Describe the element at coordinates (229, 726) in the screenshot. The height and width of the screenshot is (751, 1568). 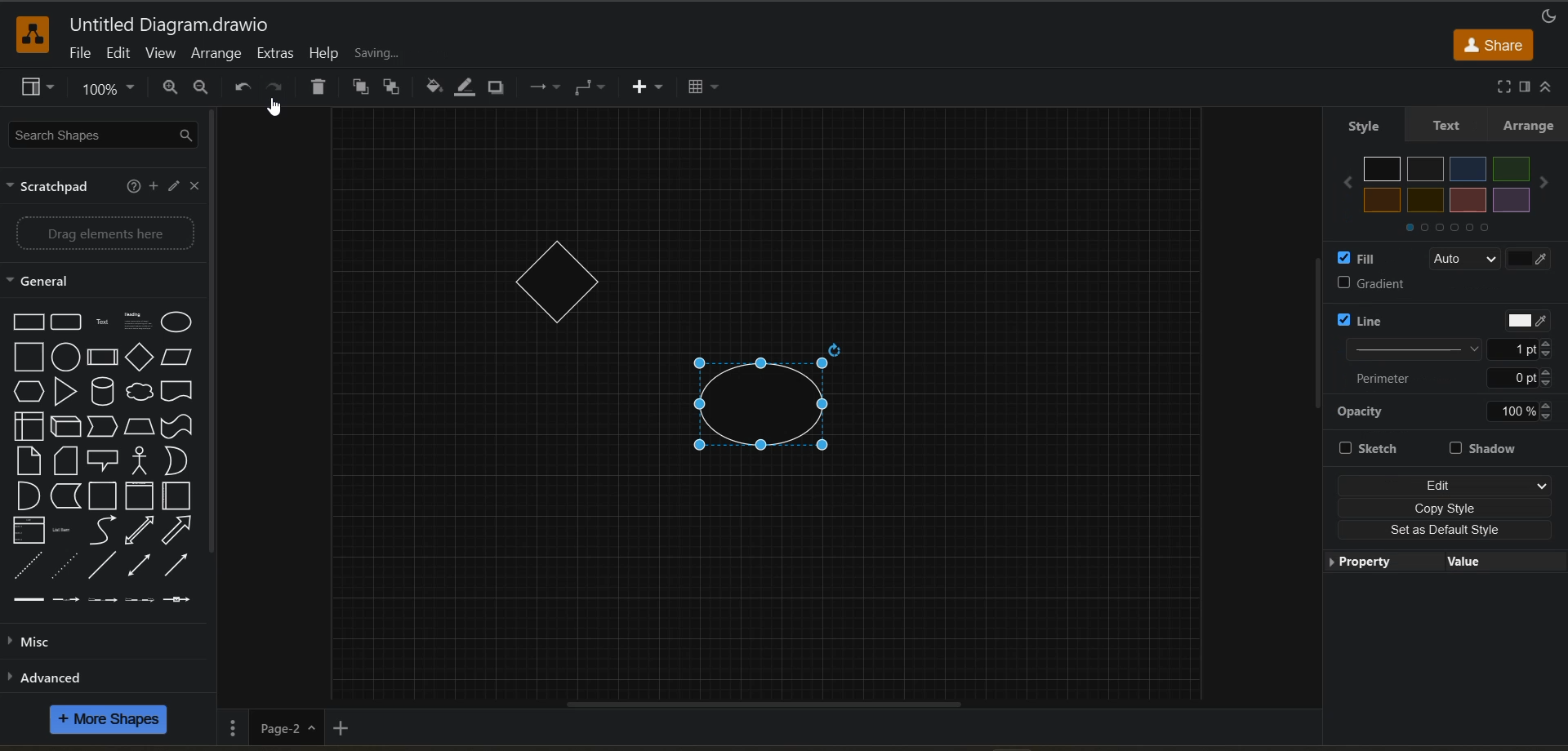
I see `pages` at that location.